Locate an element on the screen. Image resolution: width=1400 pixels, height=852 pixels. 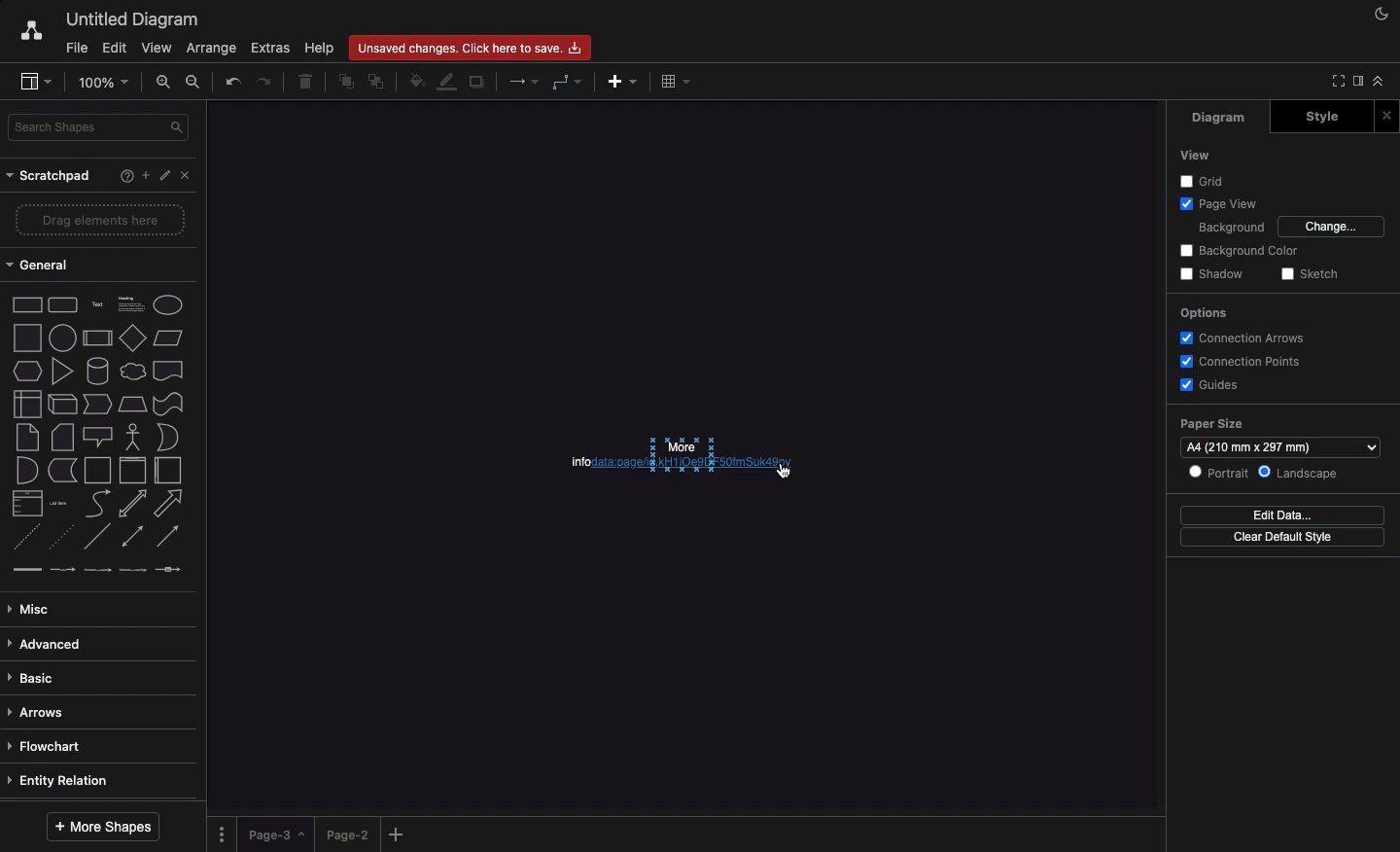
Night mode on is located at coordinates (1380, 15).